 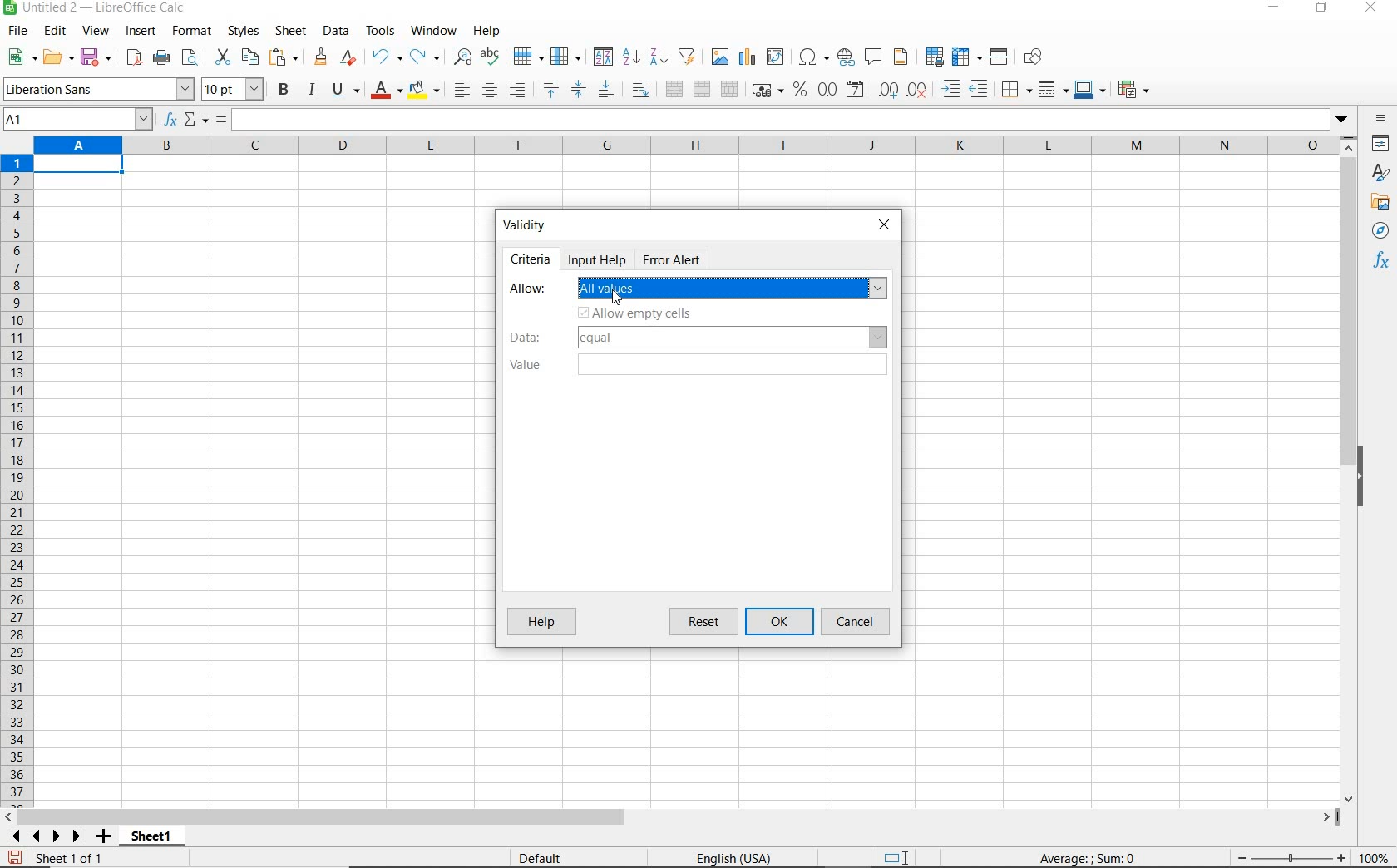 What do you see at coordinates (550, 90) in the screenshot?
I see `align top` at bounding box center [550, 90].